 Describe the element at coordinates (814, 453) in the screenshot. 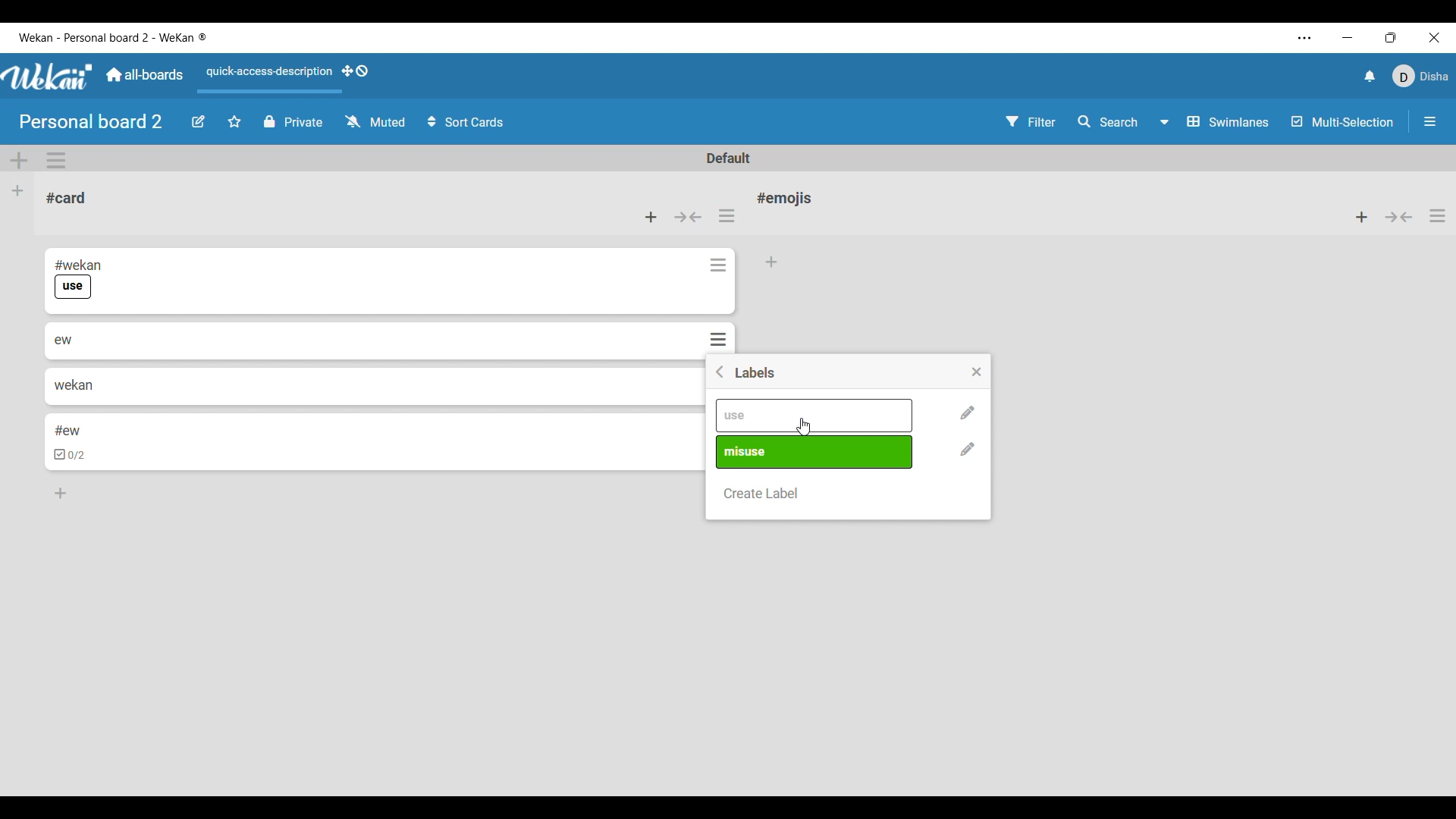

I see `Pre-existing labels differentiated by name and color` at that location.